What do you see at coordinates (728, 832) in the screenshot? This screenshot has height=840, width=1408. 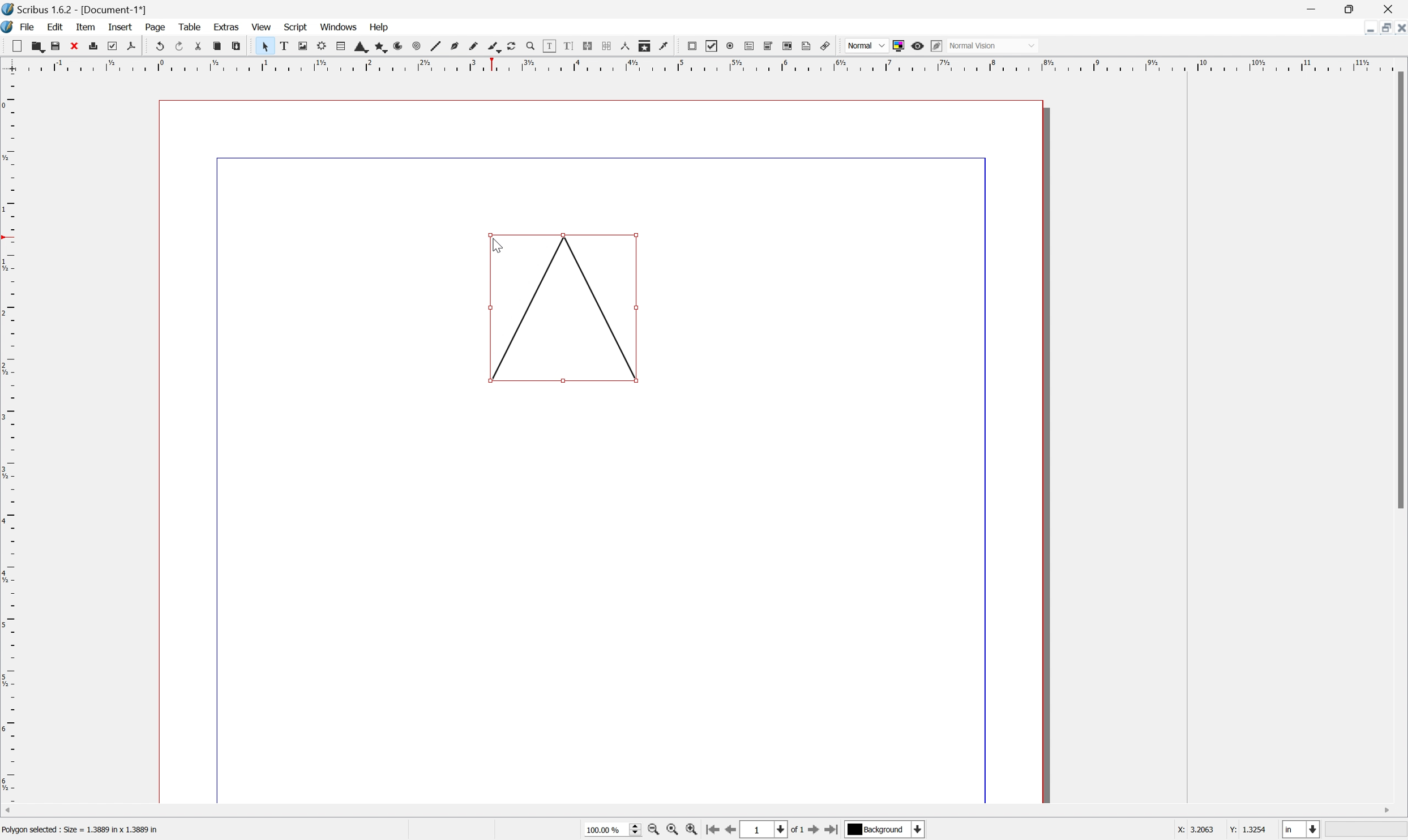 I see `Go to previous page` at bounding box center [728, 832].